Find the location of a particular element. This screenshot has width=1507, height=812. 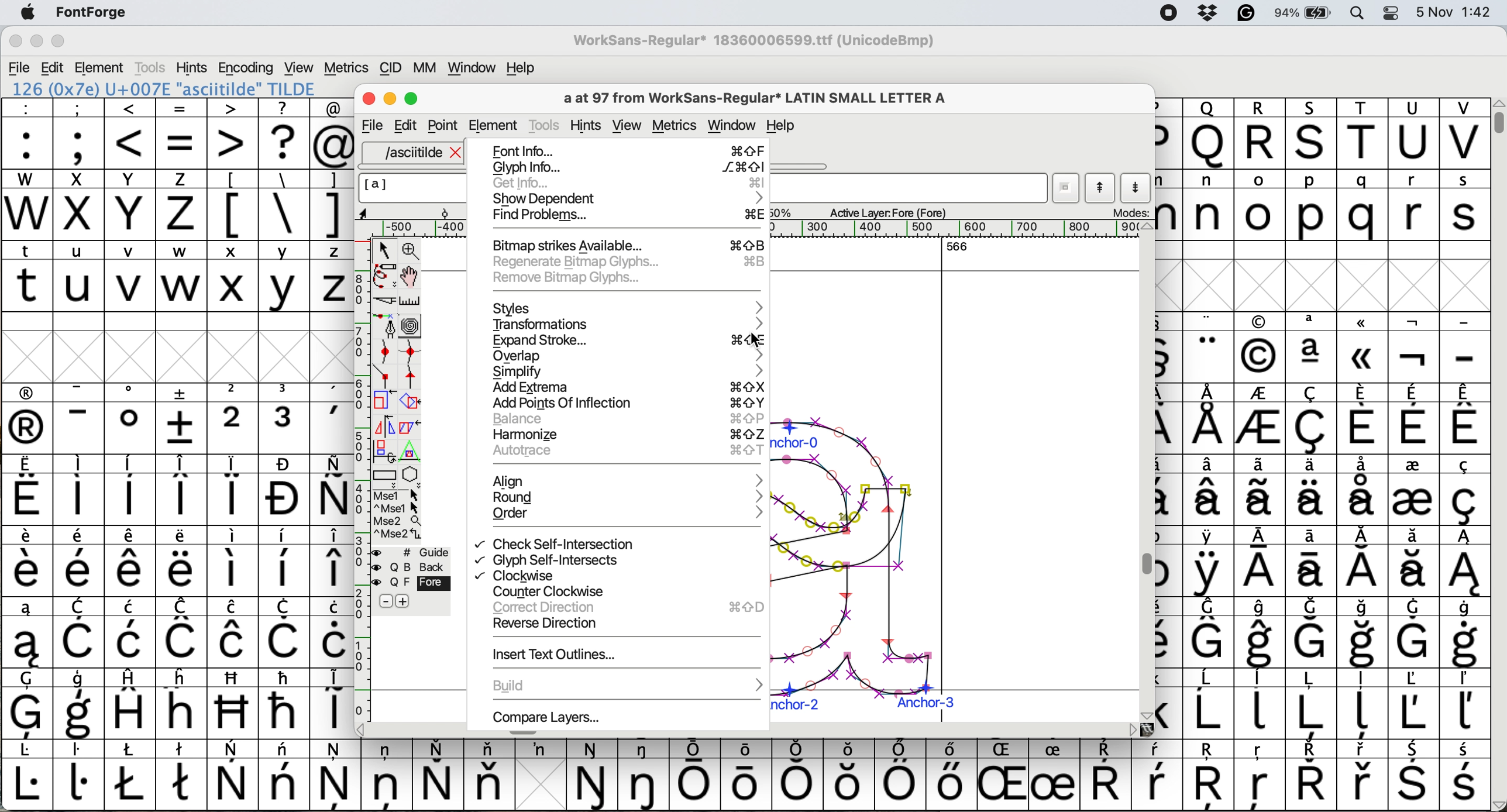

symbol is located at coordinates (285, 632).